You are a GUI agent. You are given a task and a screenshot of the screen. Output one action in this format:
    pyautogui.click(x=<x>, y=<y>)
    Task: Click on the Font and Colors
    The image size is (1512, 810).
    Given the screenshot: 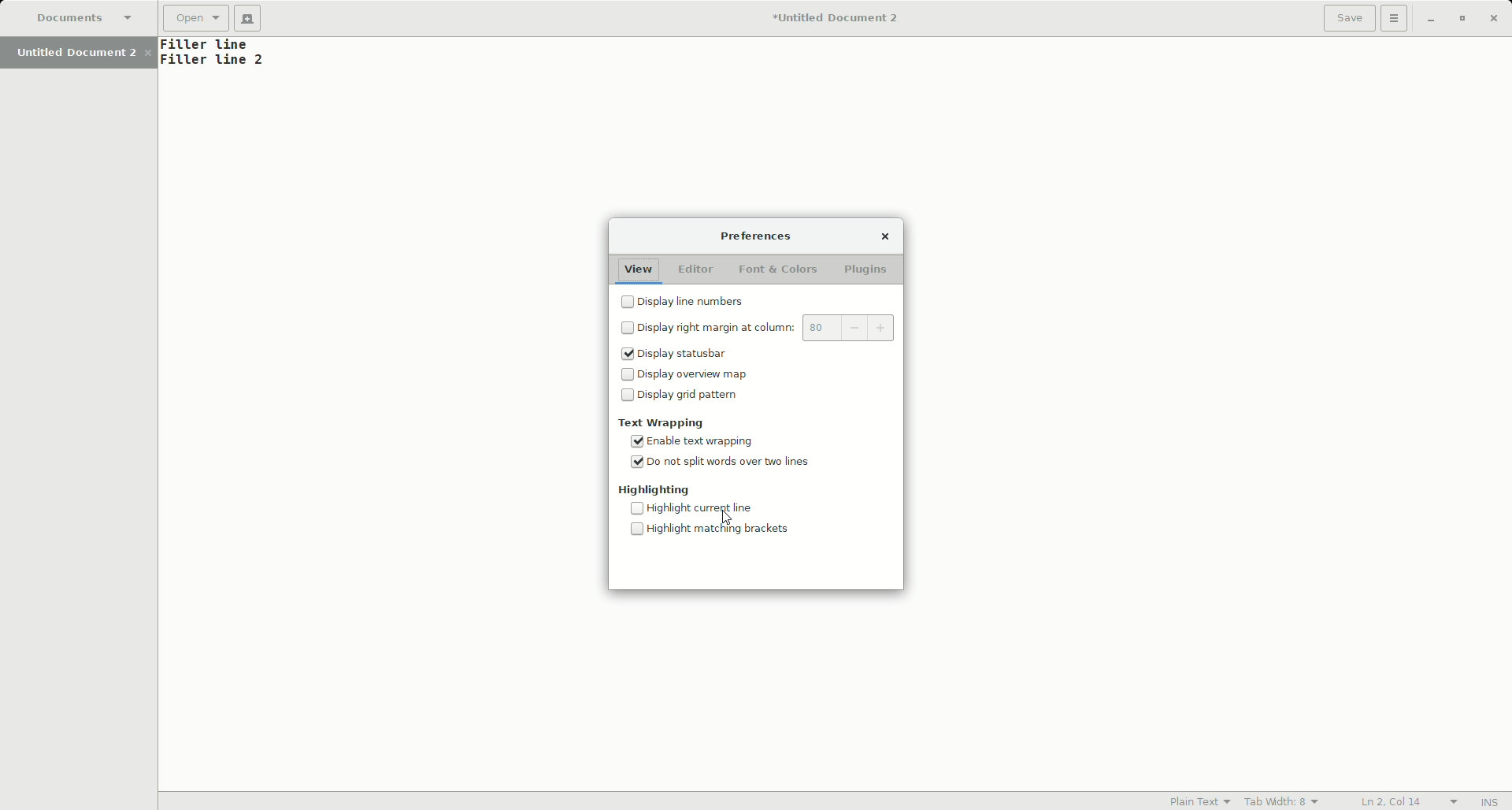 What is the action you would take?
    pyautogui.click(x=776, y=269)
    